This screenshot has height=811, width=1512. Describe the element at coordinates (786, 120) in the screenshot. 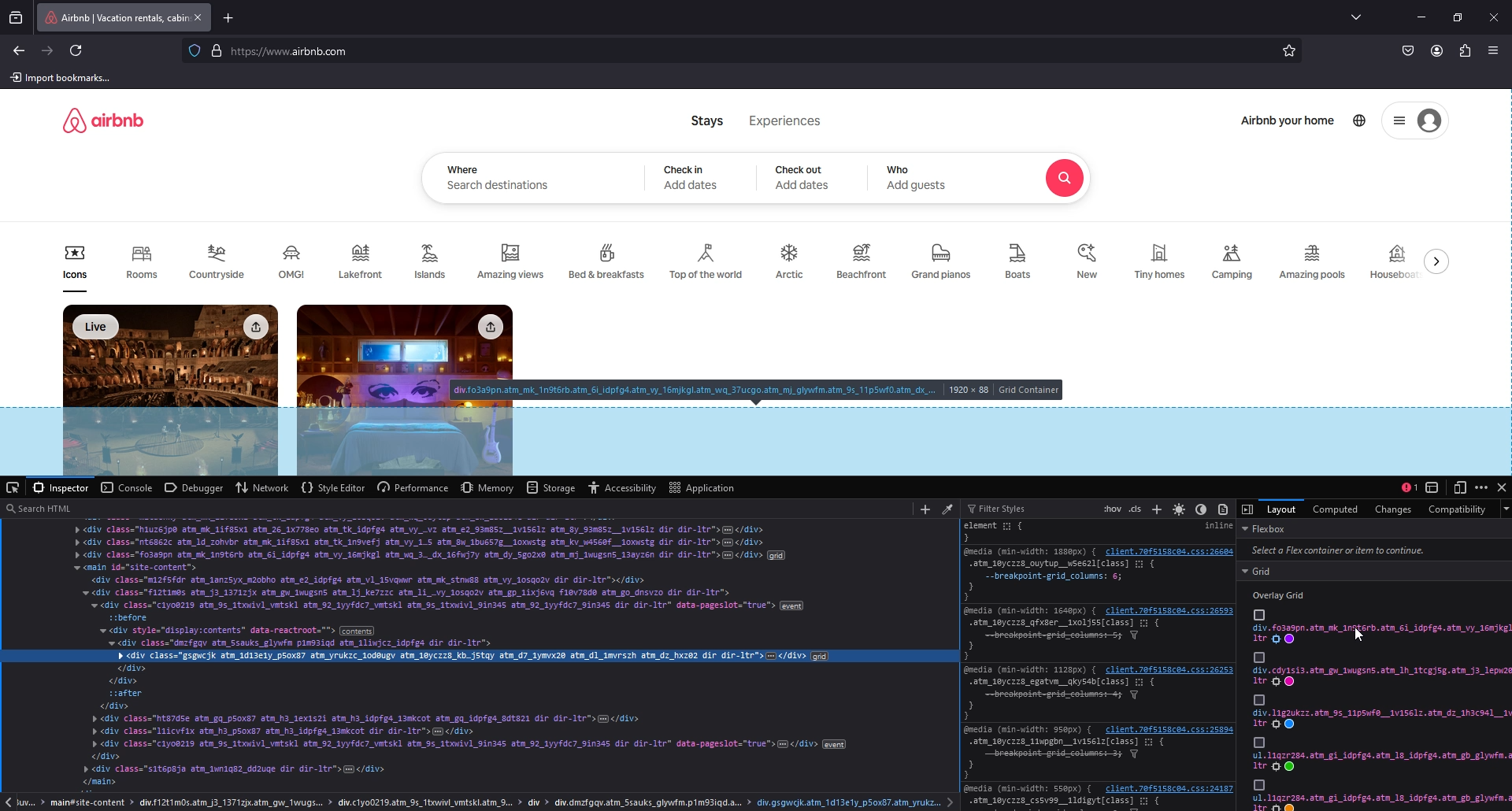

I see `Experiences ` at that location.